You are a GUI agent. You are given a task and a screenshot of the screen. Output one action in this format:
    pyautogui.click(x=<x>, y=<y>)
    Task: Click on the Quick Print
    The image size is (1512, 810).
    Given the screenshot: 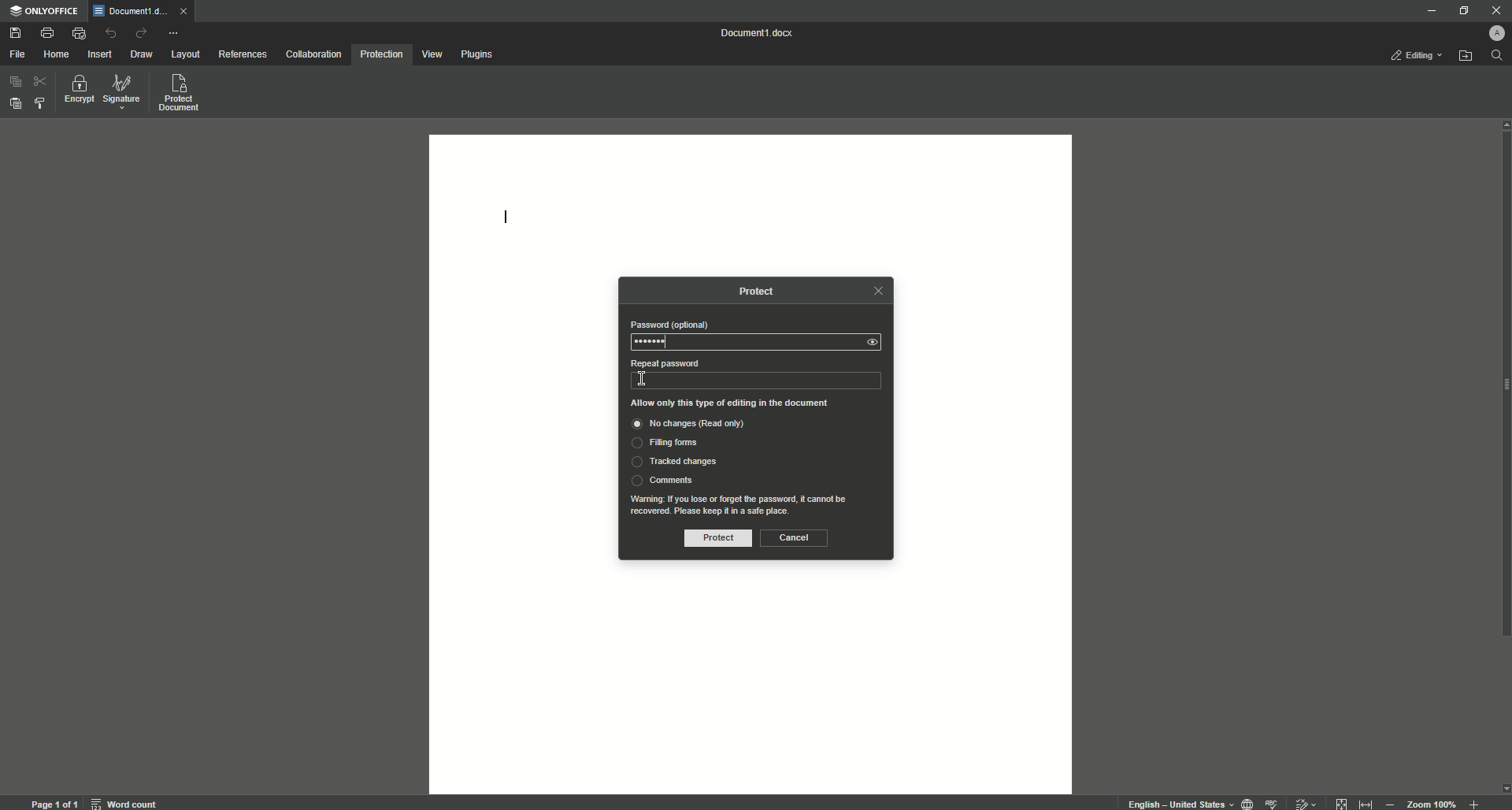 What is the action you would take?
    pyautogui.click(x=79, y=32)
    